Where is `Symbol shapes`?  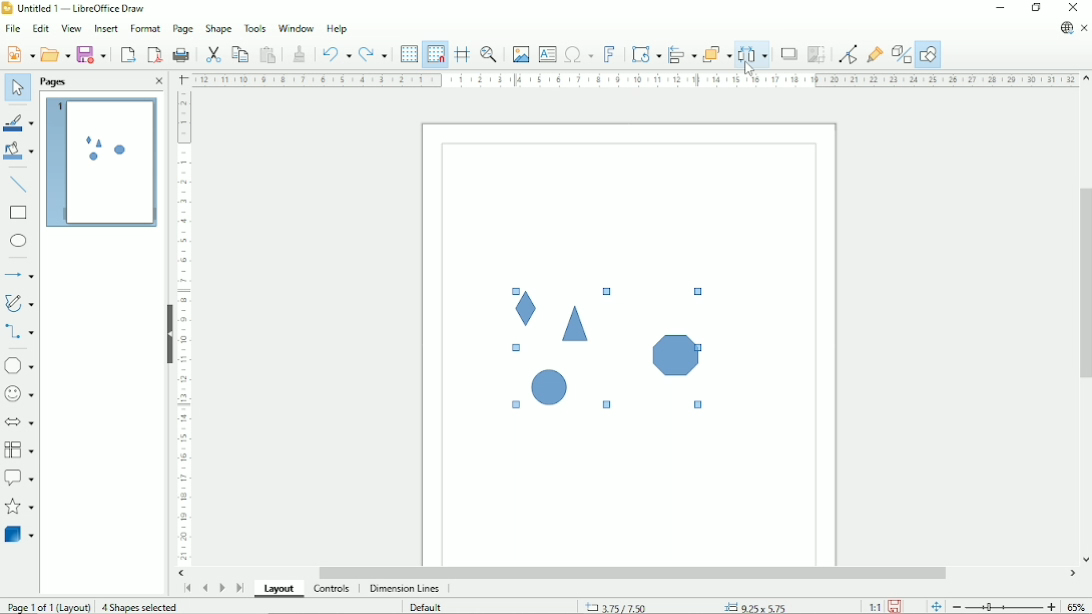
Symbol shapes is located at coordinates (19, 394).